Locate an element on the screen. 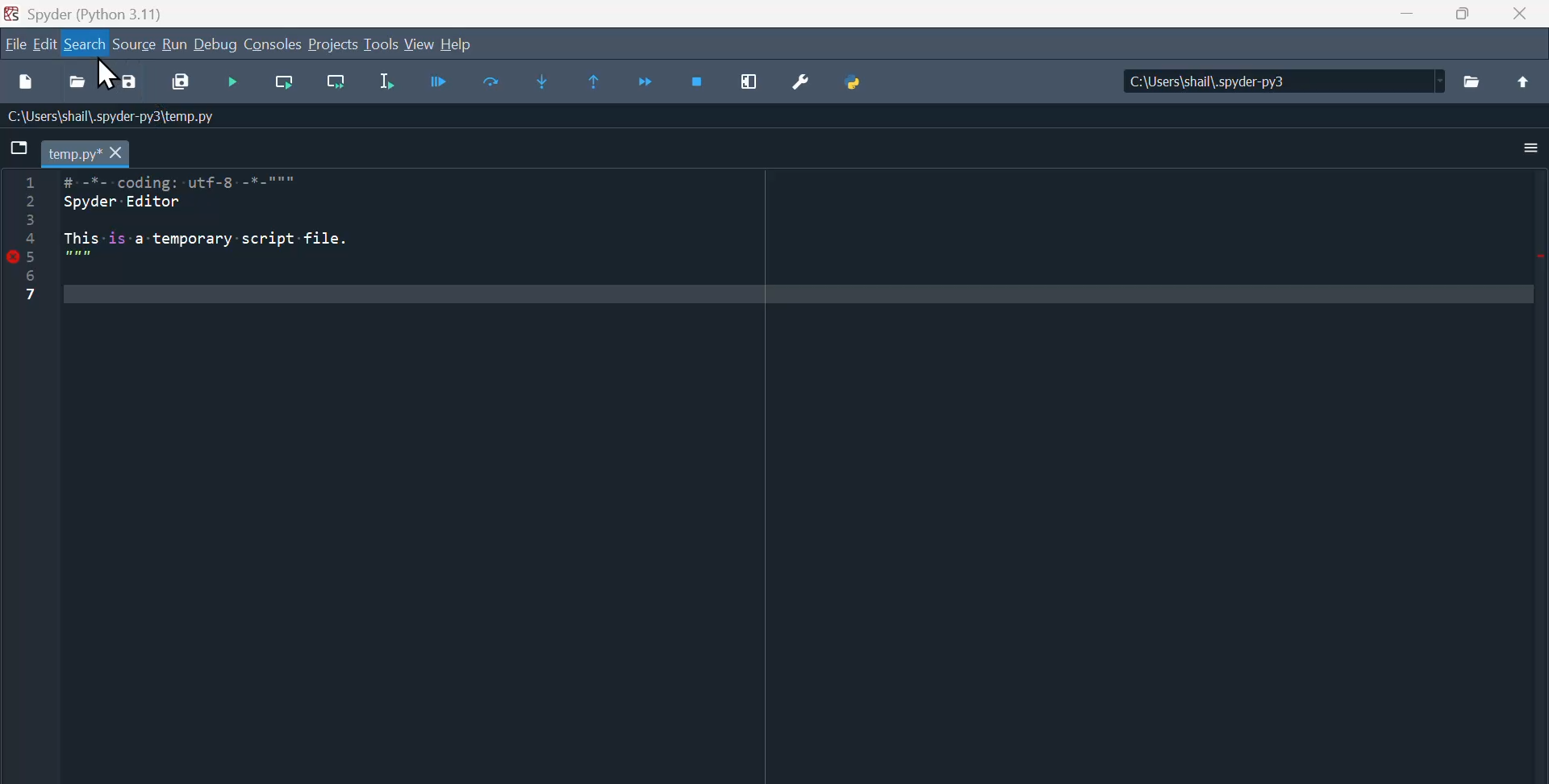 Image resolution: width=1549 pixels, height=784 pixels. Cursor on Search is located at coordinates (106, 78).